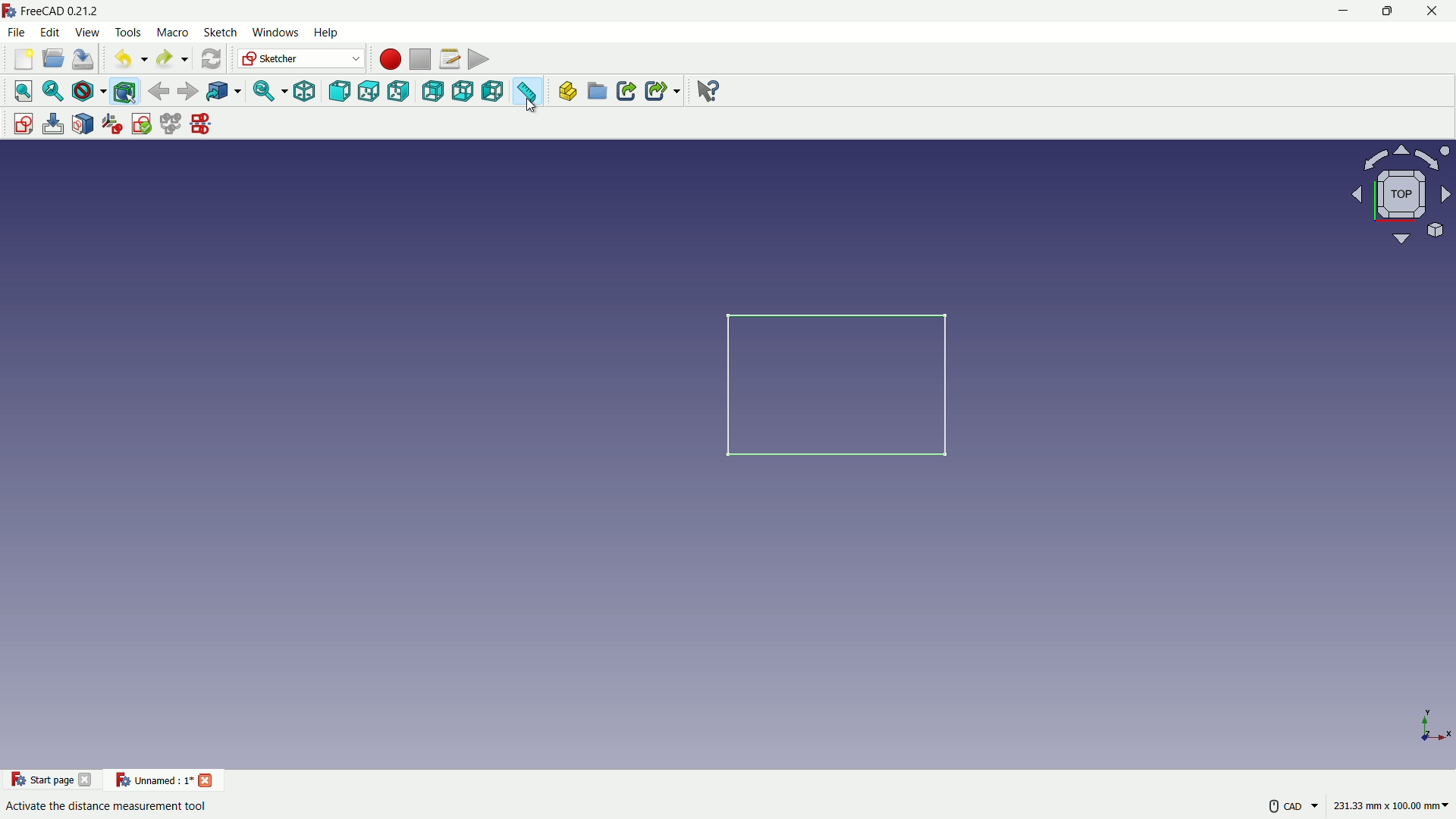  I want to click on edit menu, so click(50, 32).